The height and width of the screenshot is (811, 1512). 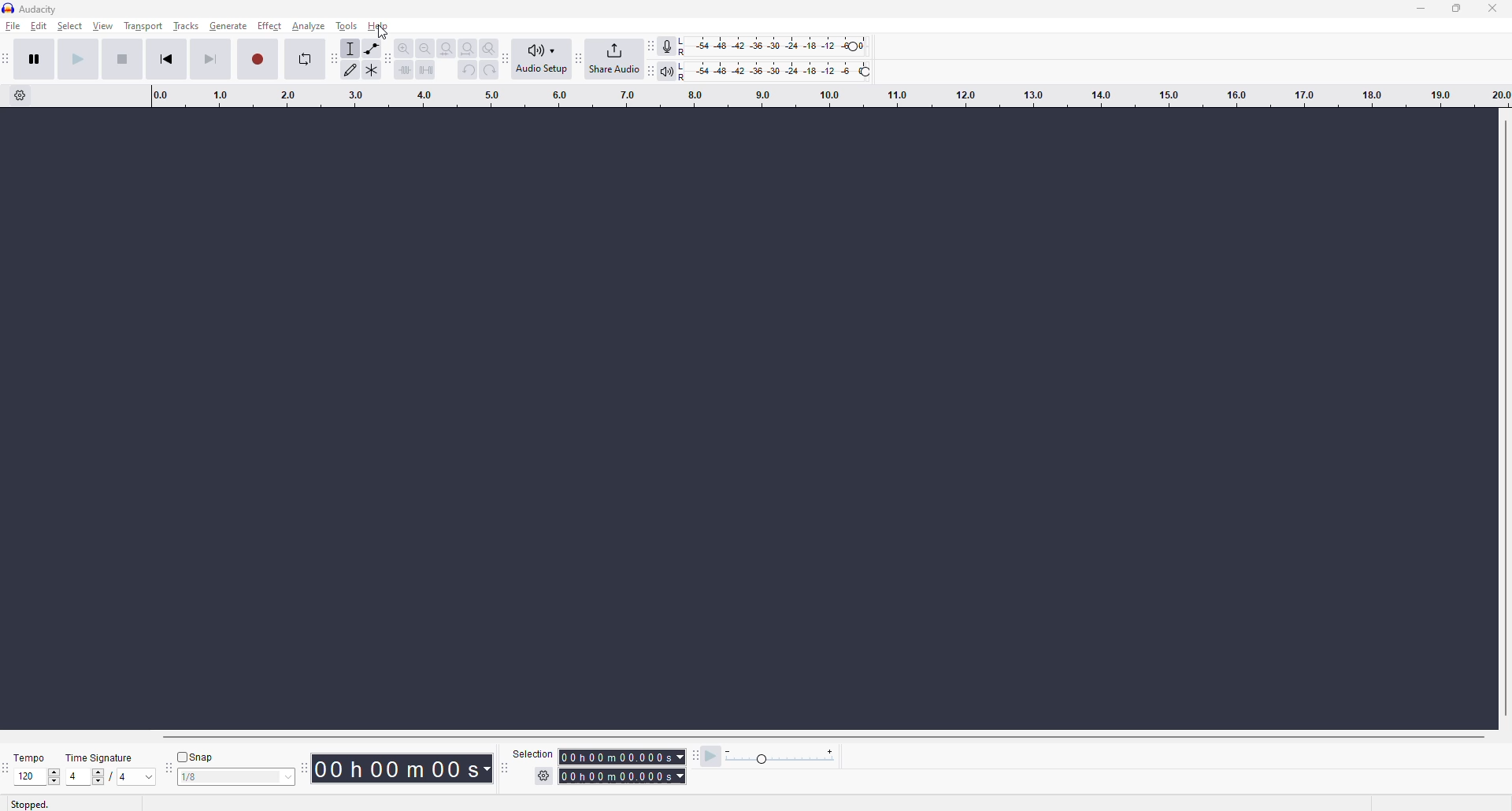 I want to click on undo, so click(x=467, y=70).